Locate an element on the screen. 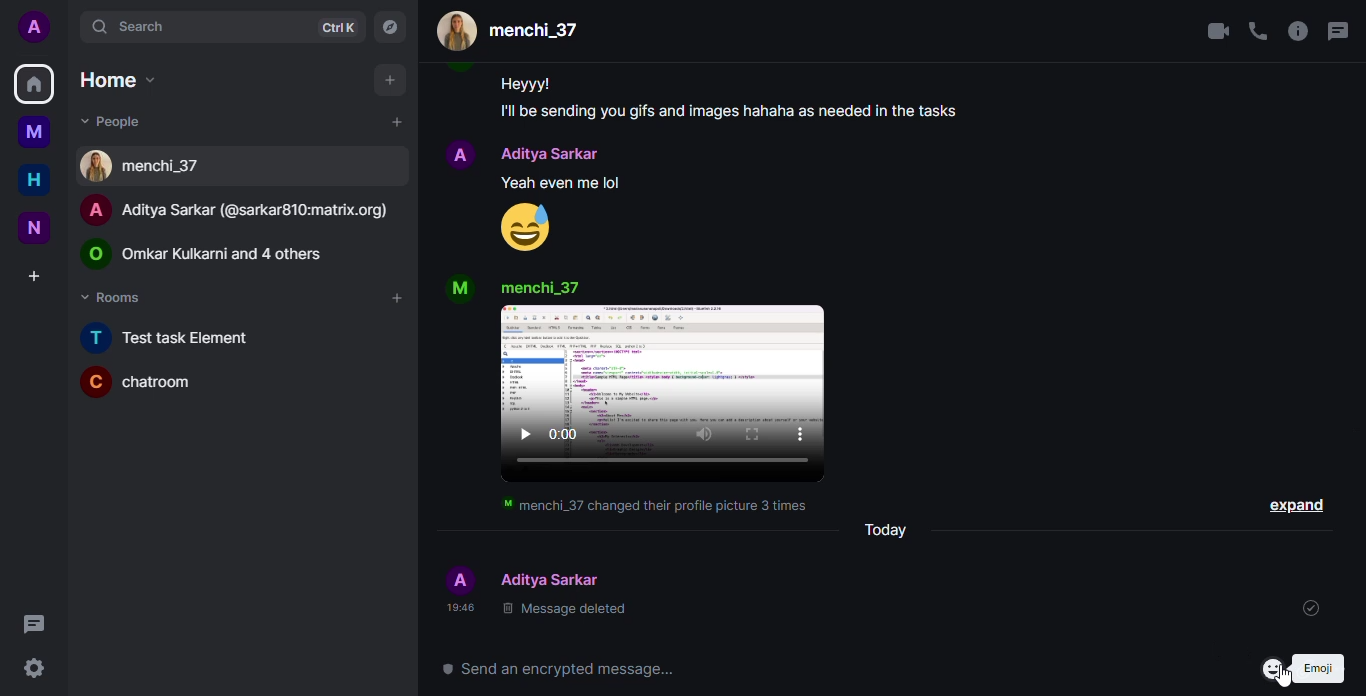 Image resolution: width=1366 pixels, height=696 pixels. home is located at coordinates (35, 85).